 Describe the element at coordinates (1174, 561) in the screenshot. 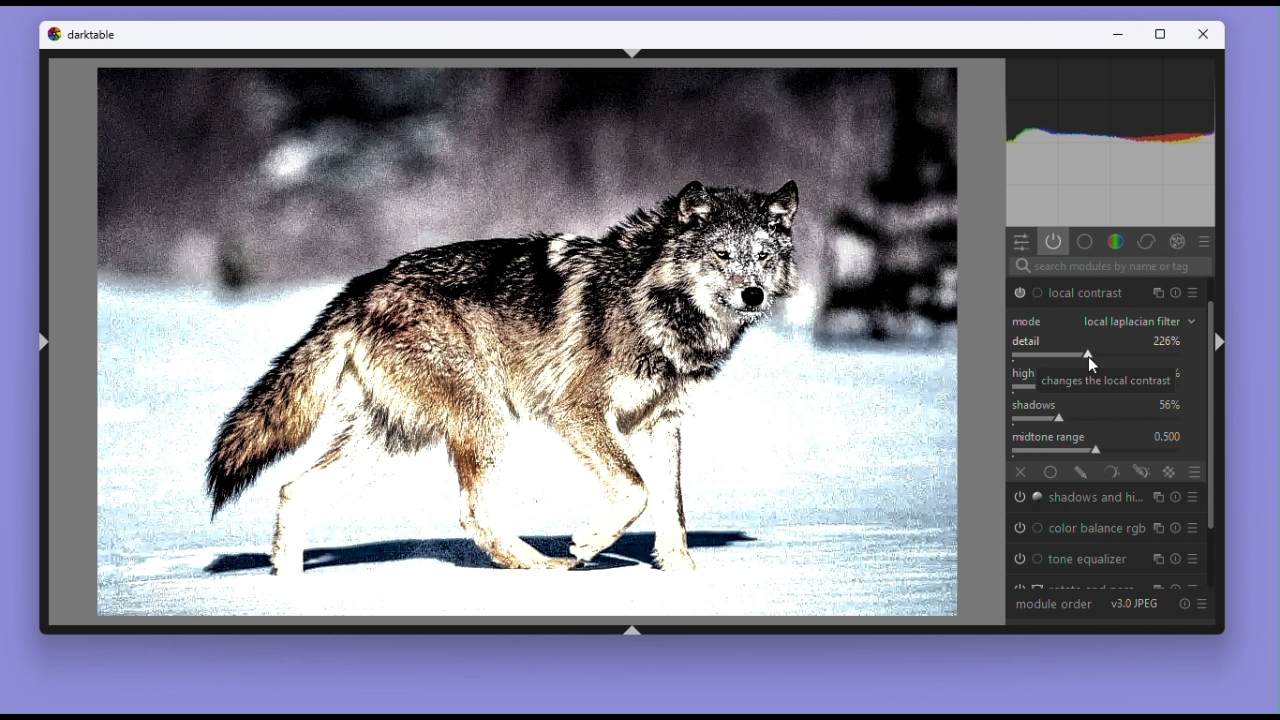

I see `reset parameters` at that location.